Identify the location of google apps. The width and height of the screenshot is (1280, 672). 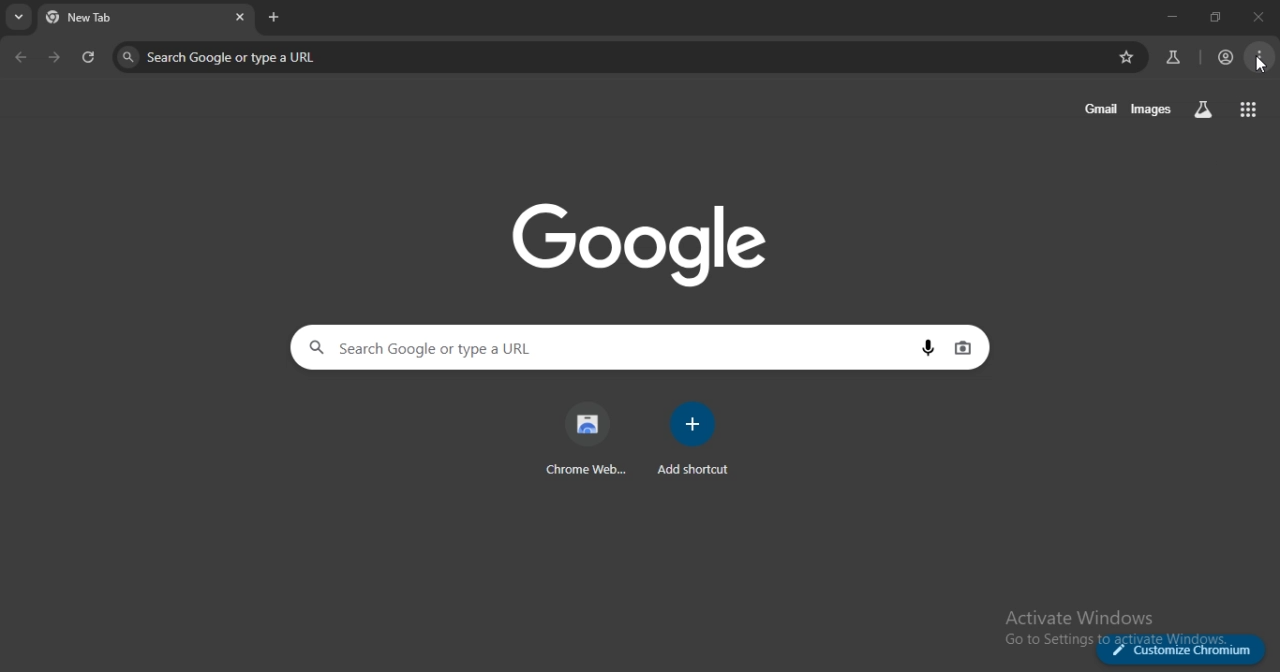
(1250, 110).